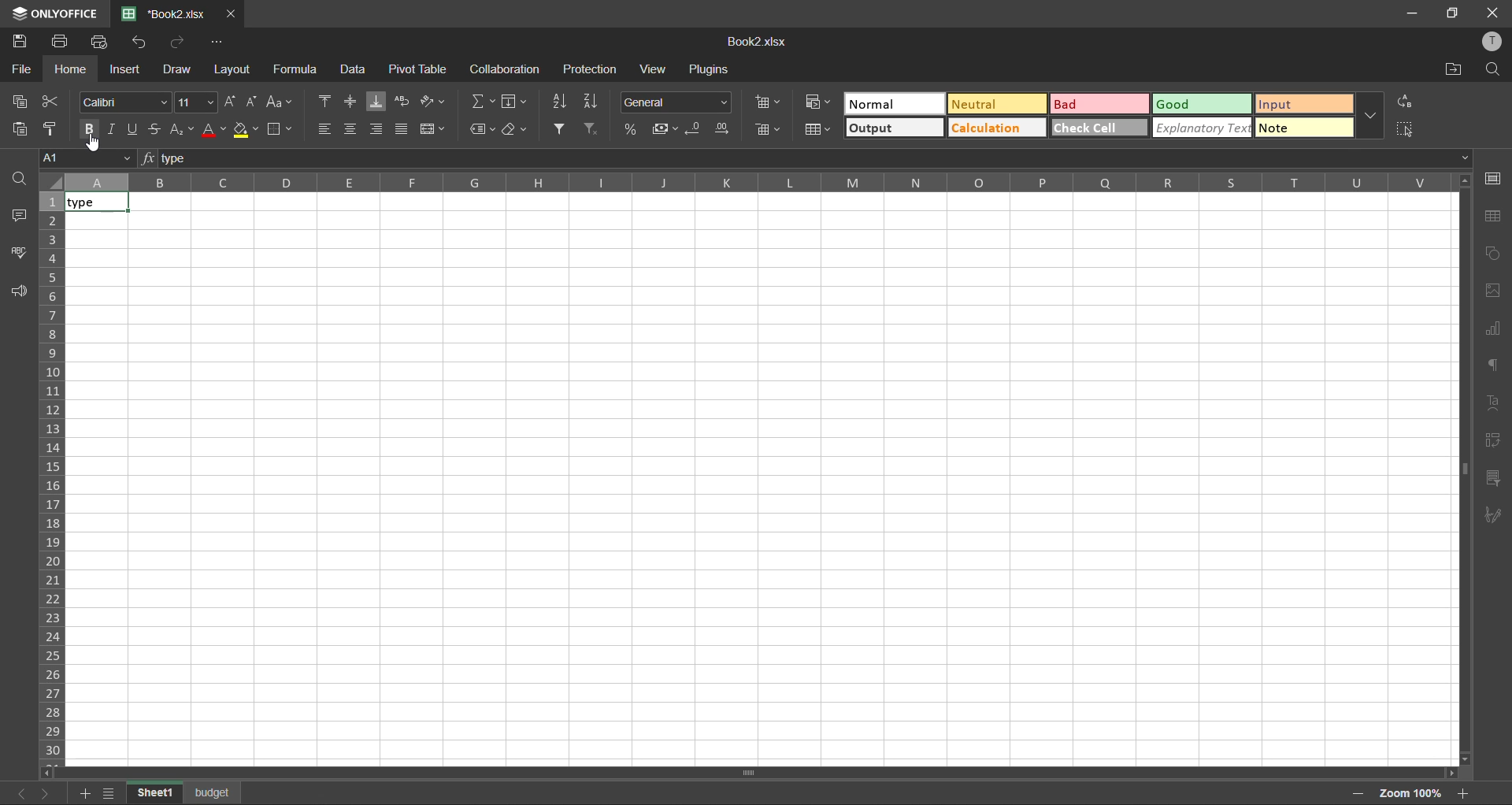 The width and height of the screenshot is (1512, 805). What do you see at coordinates (562, 128) in the screenshot?
I see `filter` at bounding box center [562, 128].